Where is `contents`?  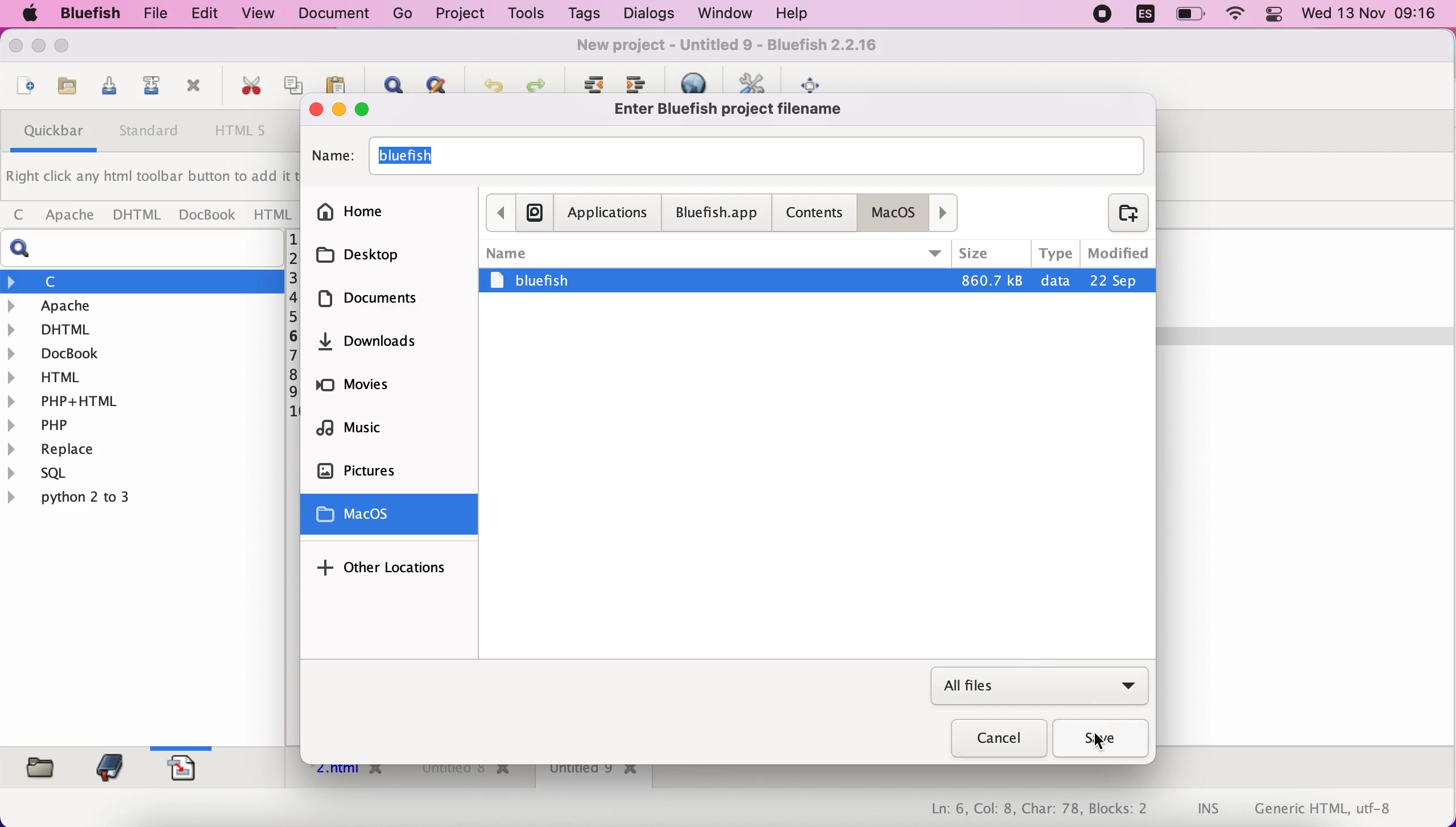 contents is located at coordinates (817, 212).